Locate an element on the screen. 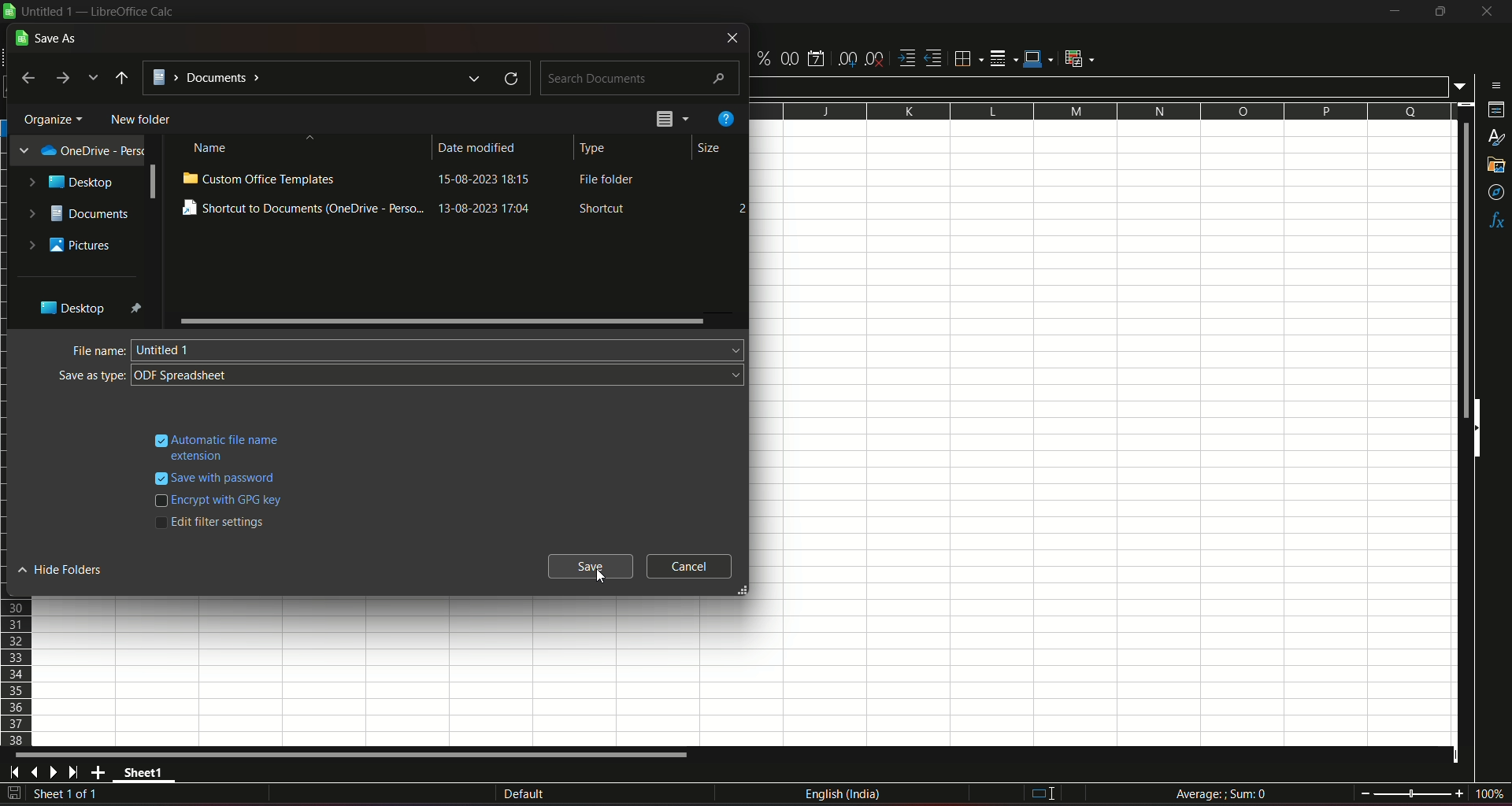  borders is located at coordinates (968, 59).